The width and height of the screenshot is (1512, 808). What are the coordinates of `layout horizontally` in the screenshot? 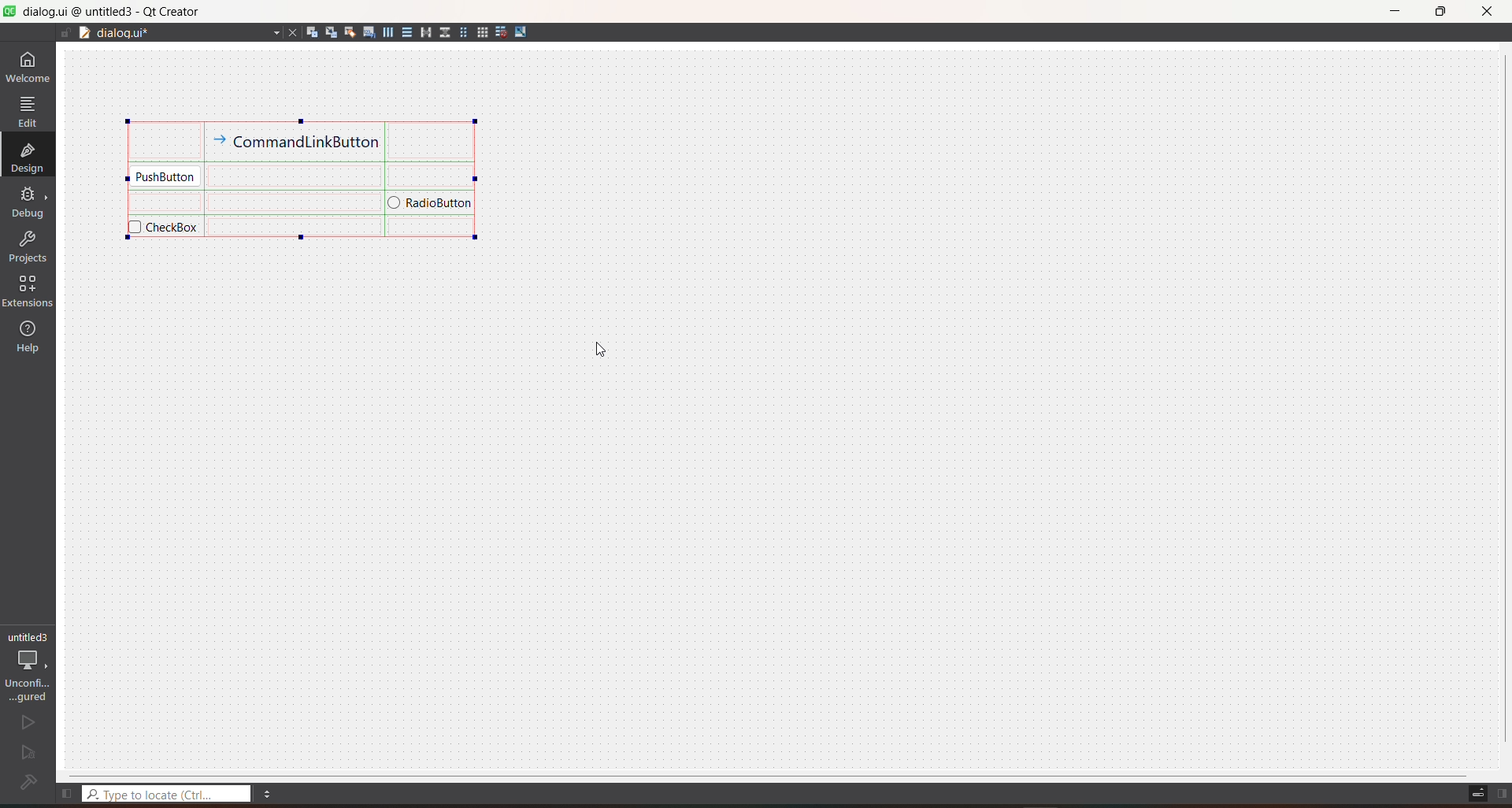 It's located at (386, 32).